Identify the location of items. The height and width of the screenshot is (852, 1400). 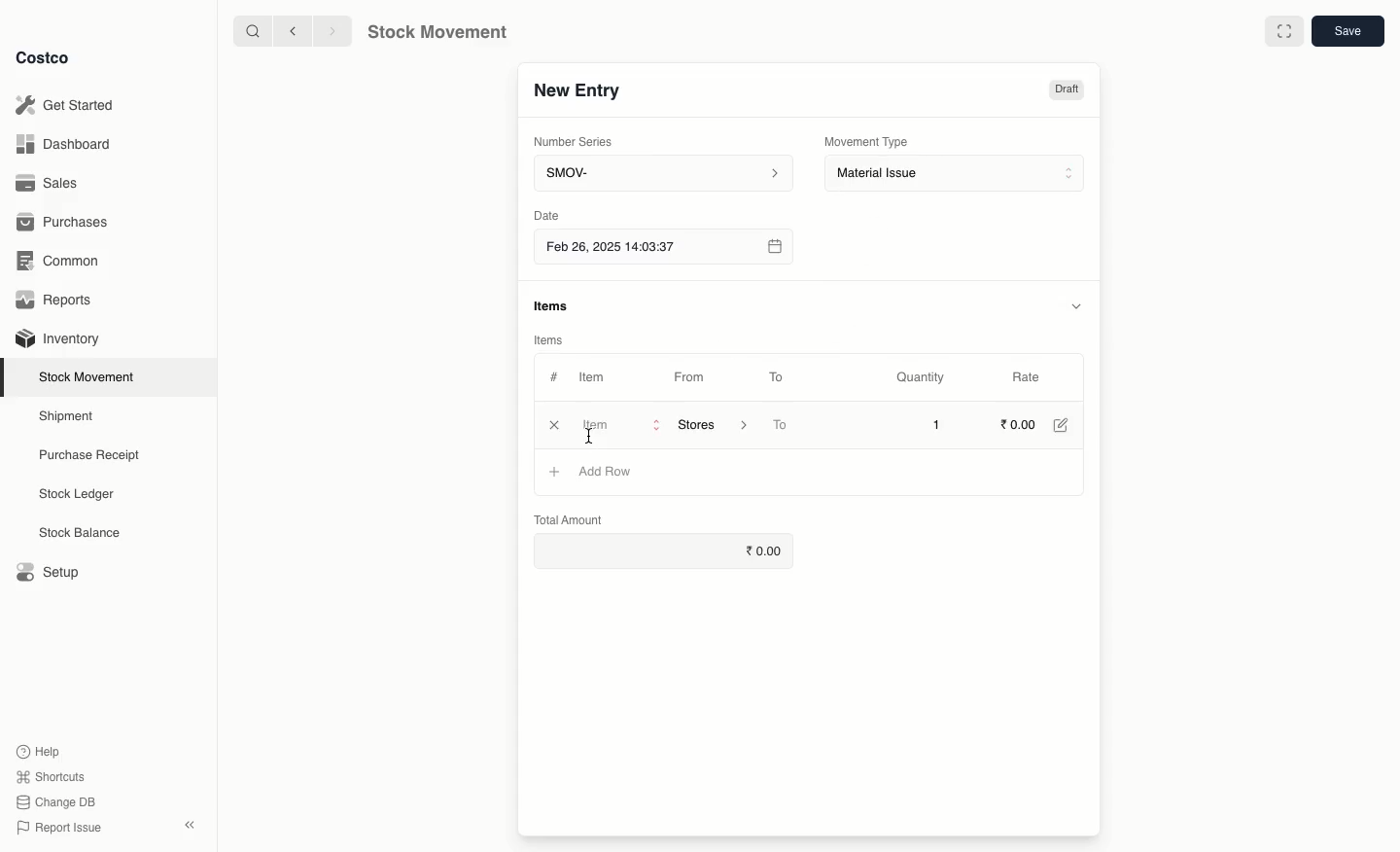
(553, 306).